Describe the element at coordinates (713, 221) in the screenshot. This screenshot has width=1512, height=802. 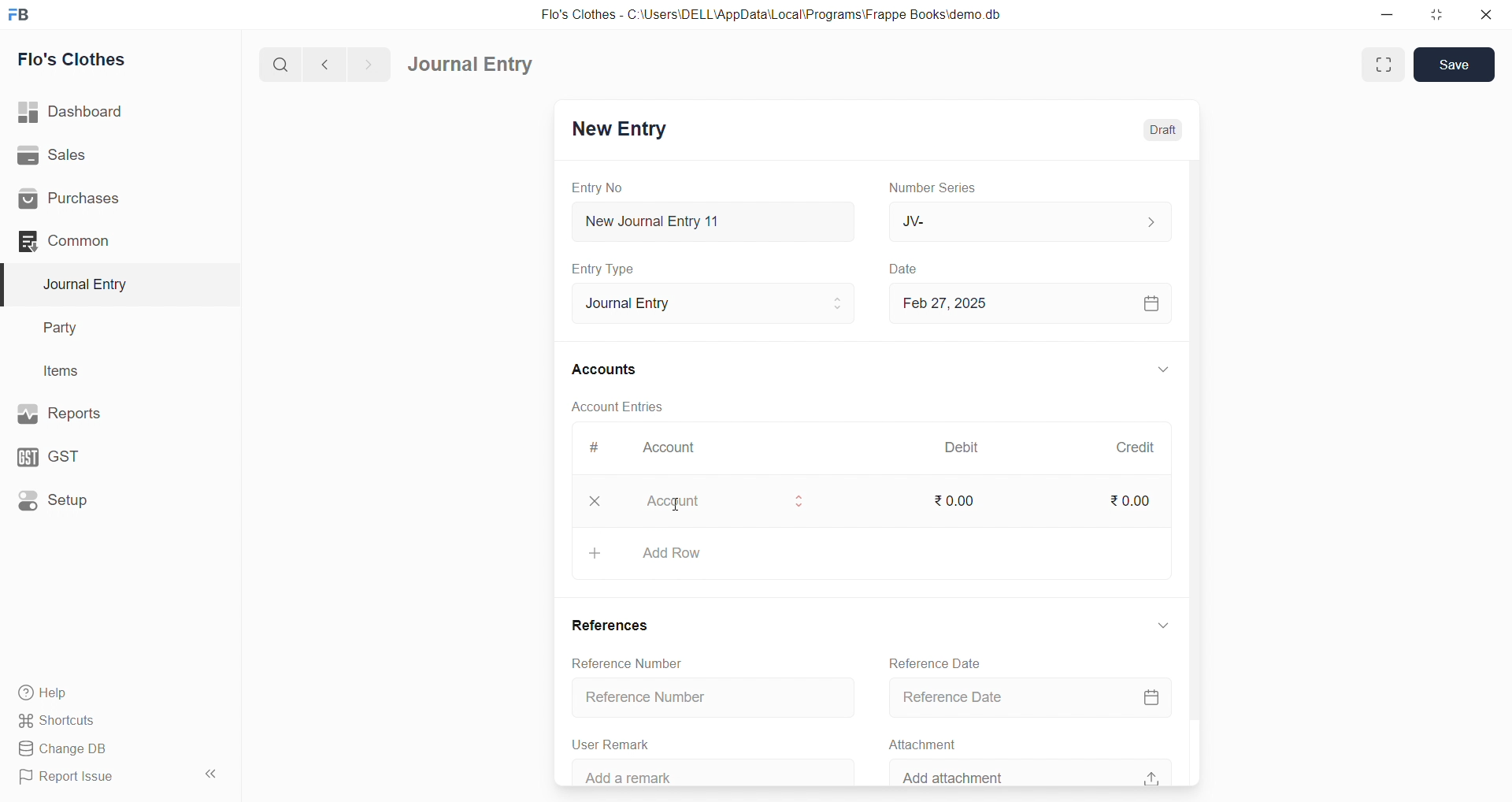
I see `New Journal Entry 11` at that location.